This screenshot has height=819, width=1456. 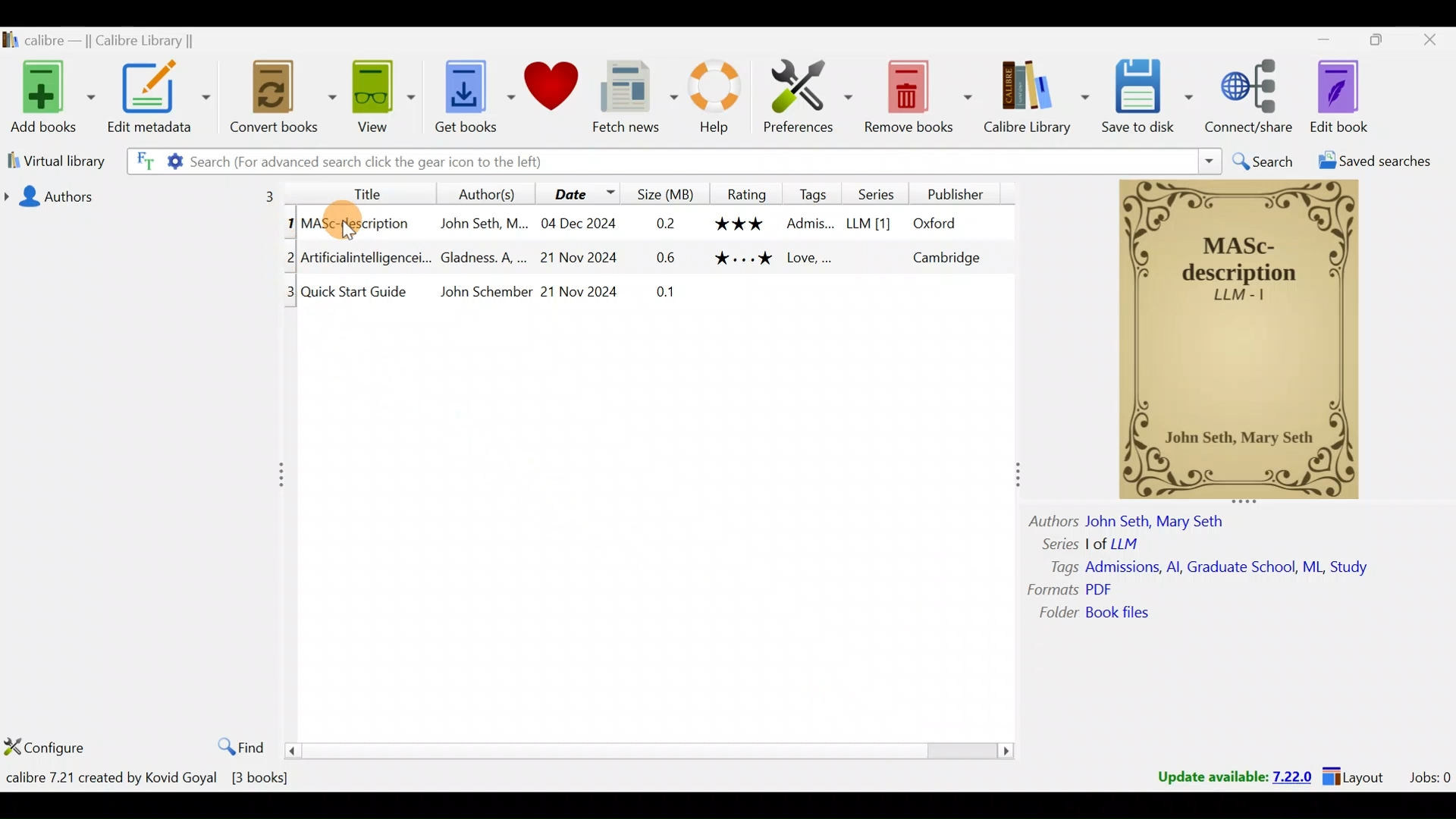 I want to click on , so click(x=485, y=259).